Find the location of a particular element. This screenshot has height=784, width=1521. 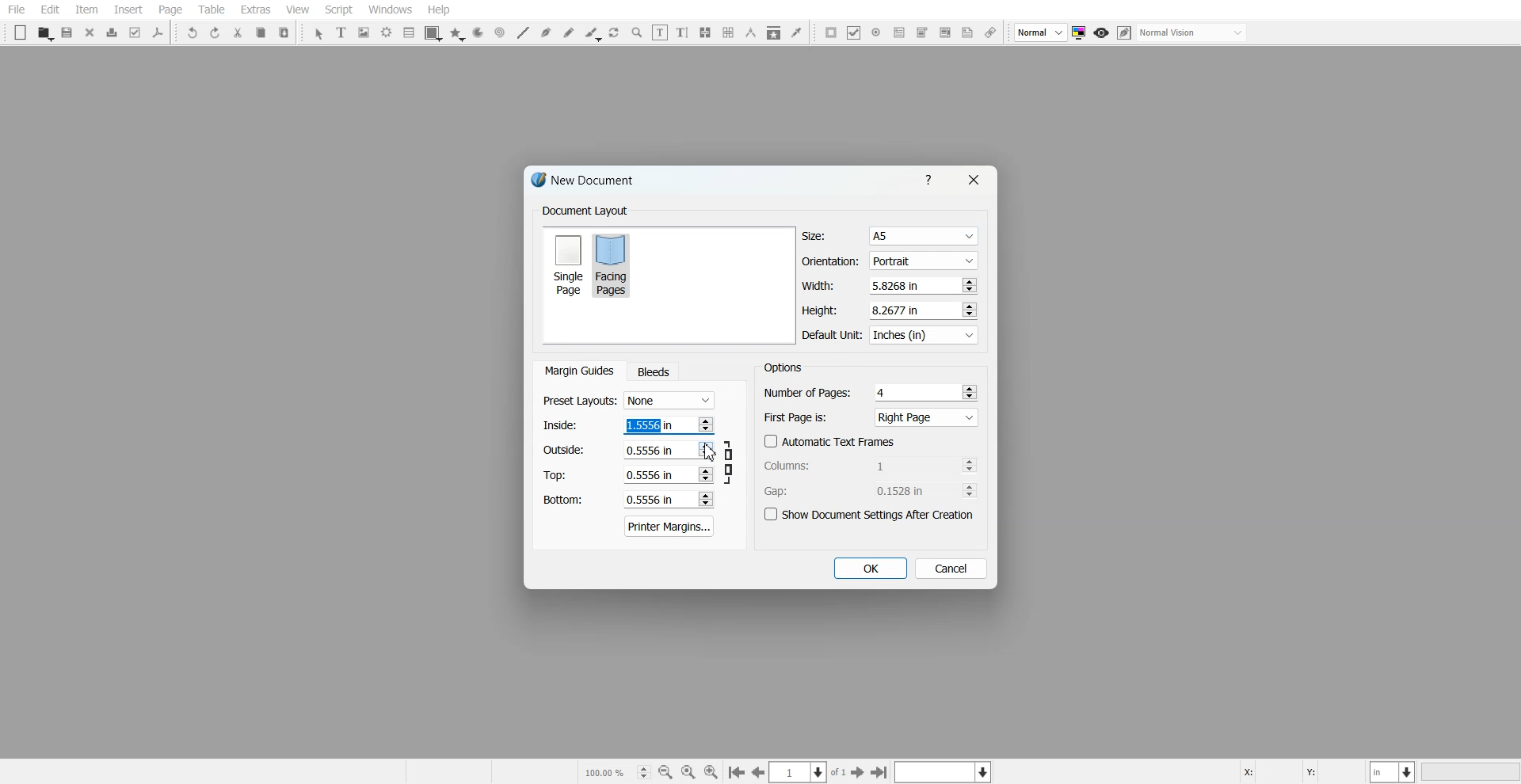

0.5556 in is located at coordinates (650, 475).